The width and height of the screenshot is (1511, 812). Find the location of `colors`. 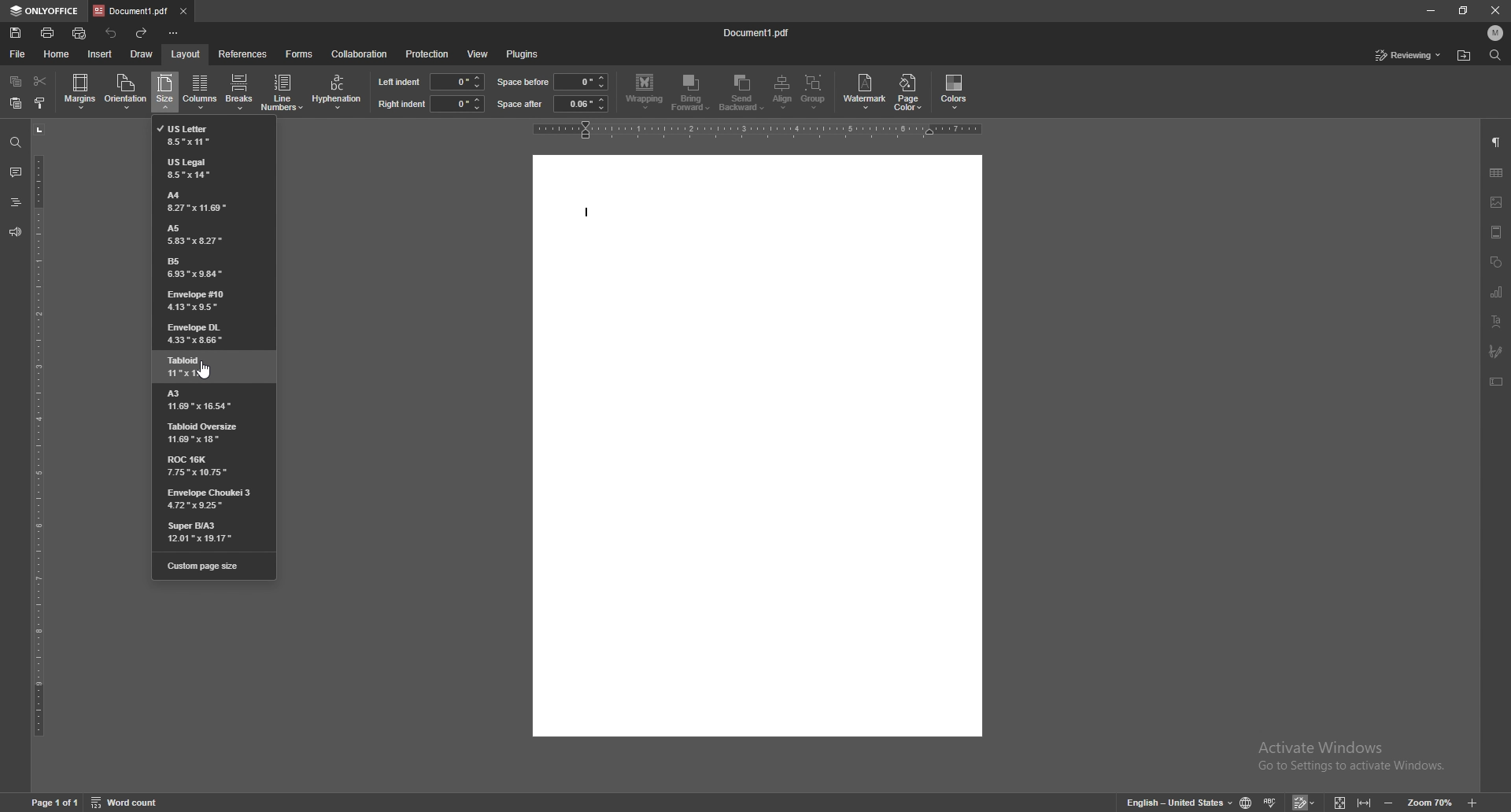

colors is located at coordinates (955, 92).